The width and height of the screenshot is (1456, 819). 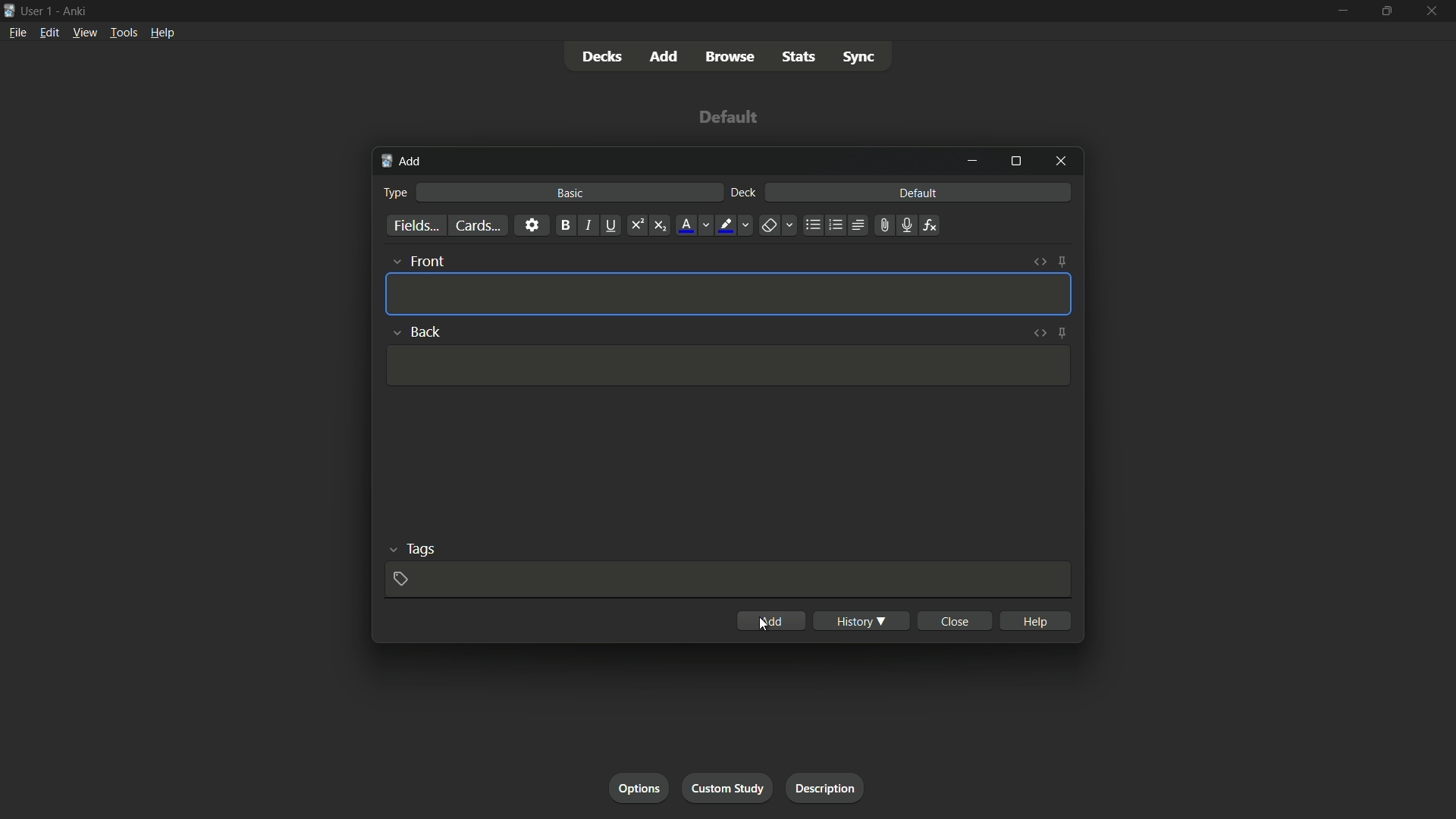 I want to click on italic, so click(x=587, y=224).